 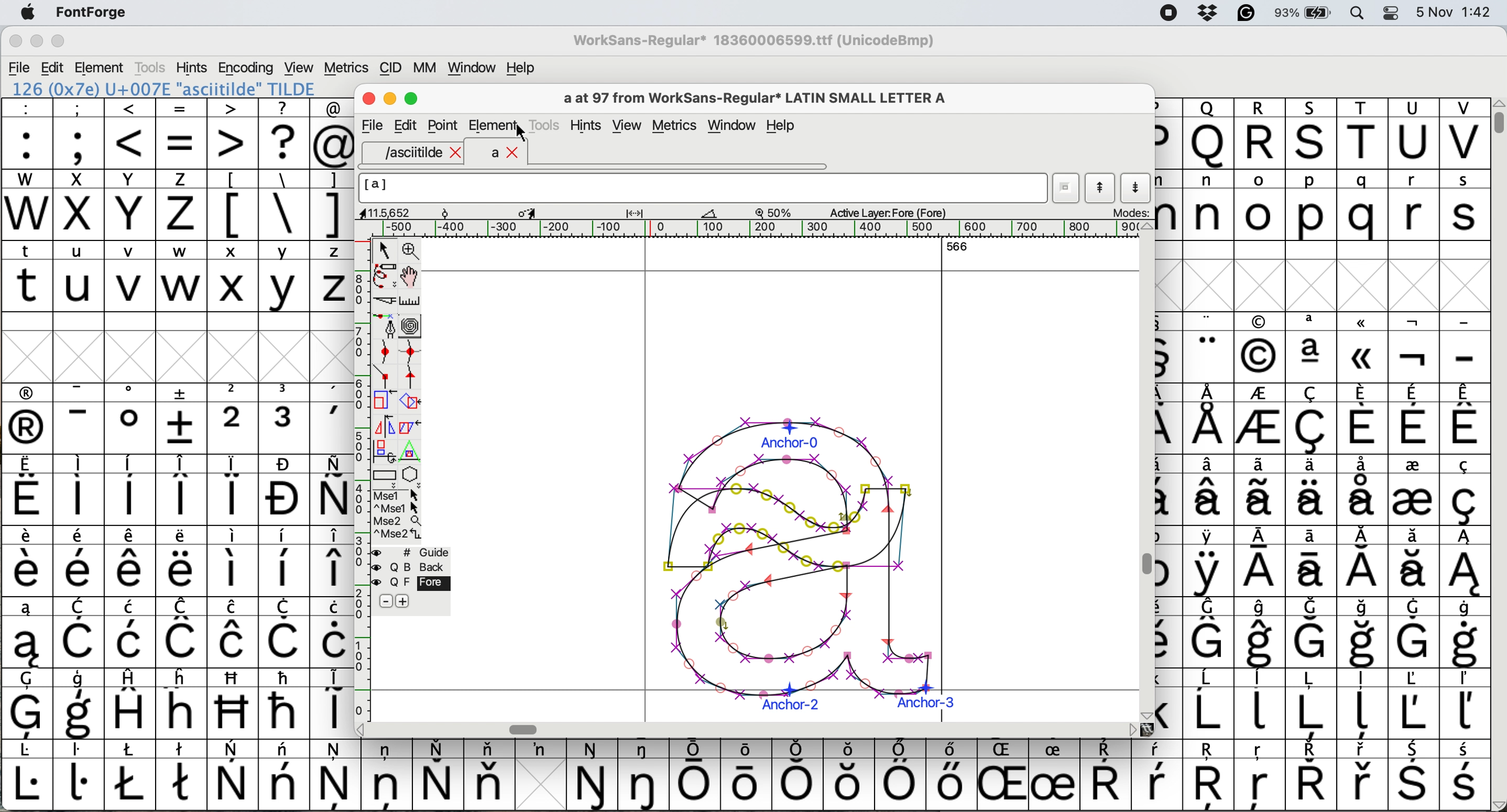 I want to click on symbol, so click(x=78, y=490).